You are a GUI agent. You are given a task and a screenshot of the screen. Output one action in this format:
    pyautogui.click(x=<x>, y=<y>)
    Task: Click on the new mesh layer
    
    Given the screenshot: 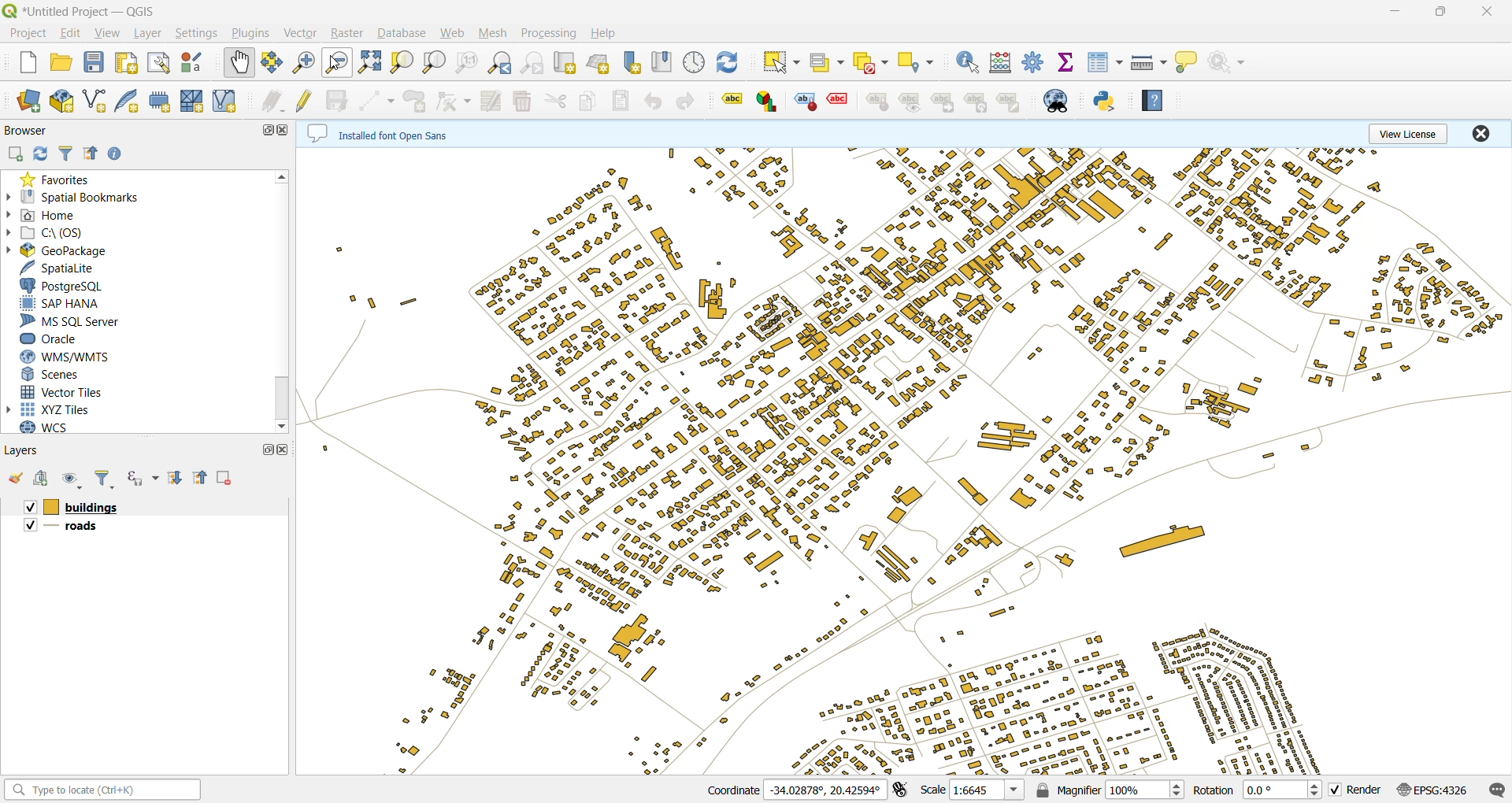 What is the action you would take?
    pyautogui.click(x=195, y=99)
    